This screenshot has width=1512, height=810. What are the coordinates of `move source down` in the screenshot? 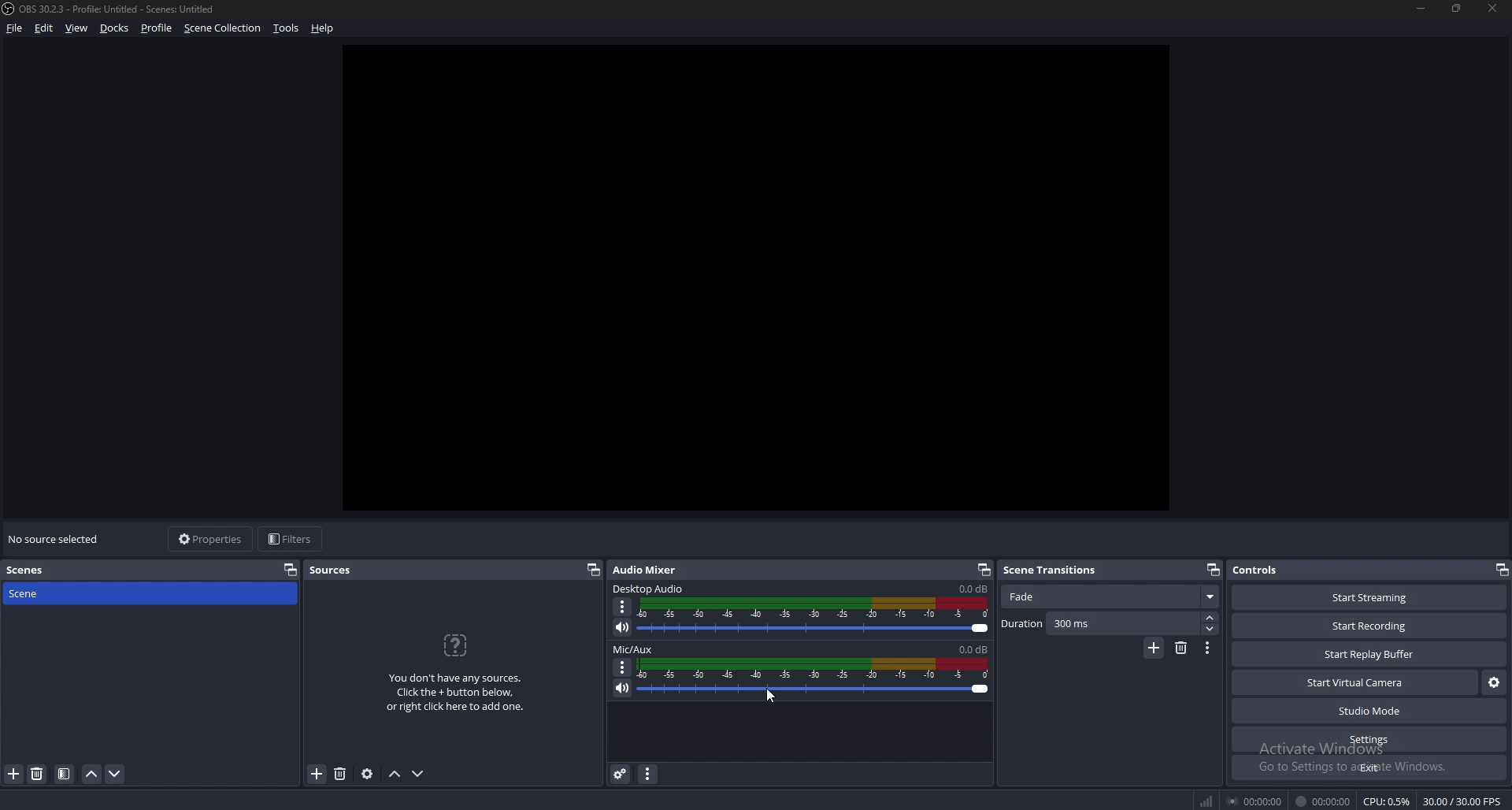 It's located at (418, 775).